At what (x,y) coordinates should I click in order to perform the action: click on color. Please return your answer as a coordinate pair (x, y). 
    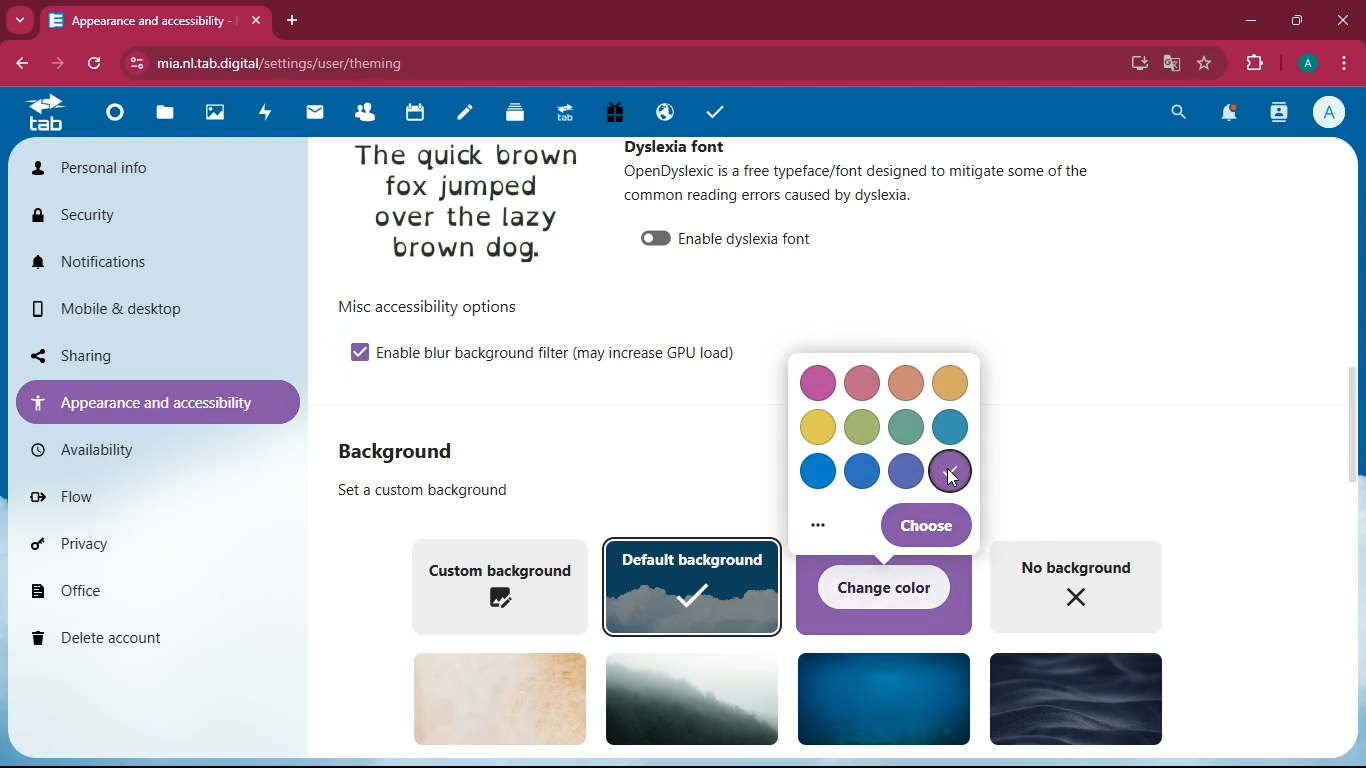
    Looking at the image, I should click on (819, 474).